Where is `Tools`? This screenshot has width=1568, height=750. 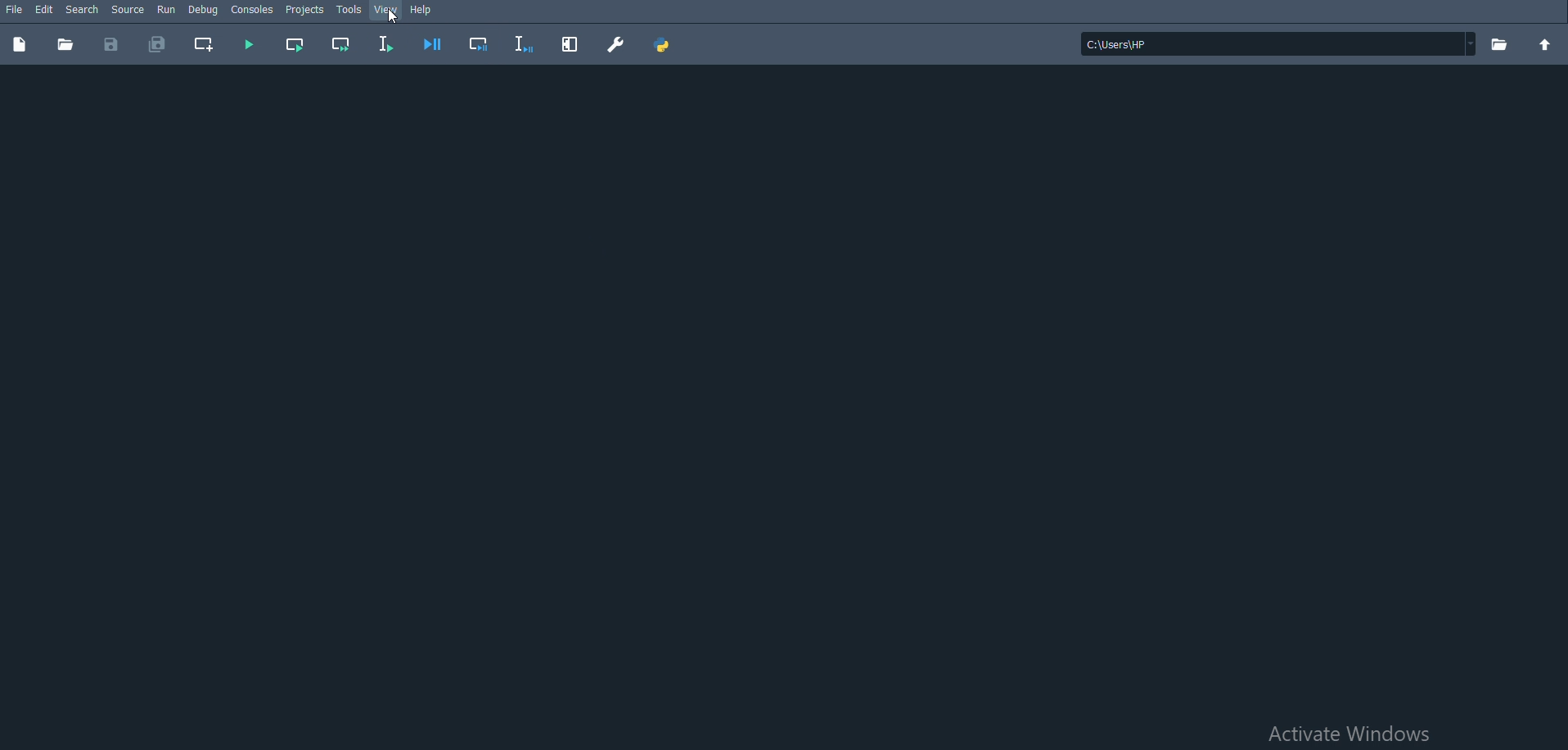 Tools is located at coordinates (350, 8).